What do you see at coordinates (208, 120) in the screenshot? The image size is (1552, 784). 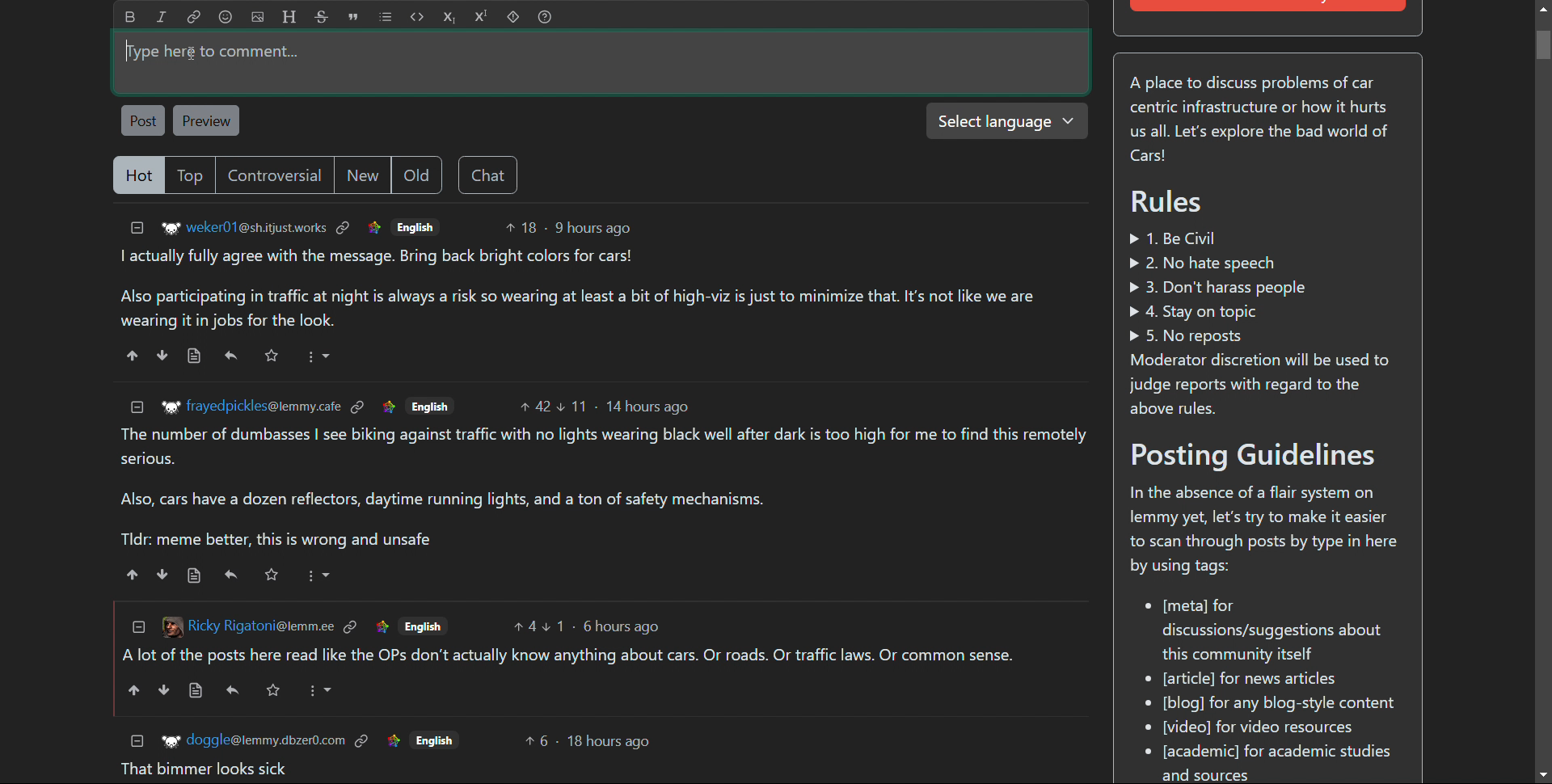 I see `preview` at bounding box center [208, 120].